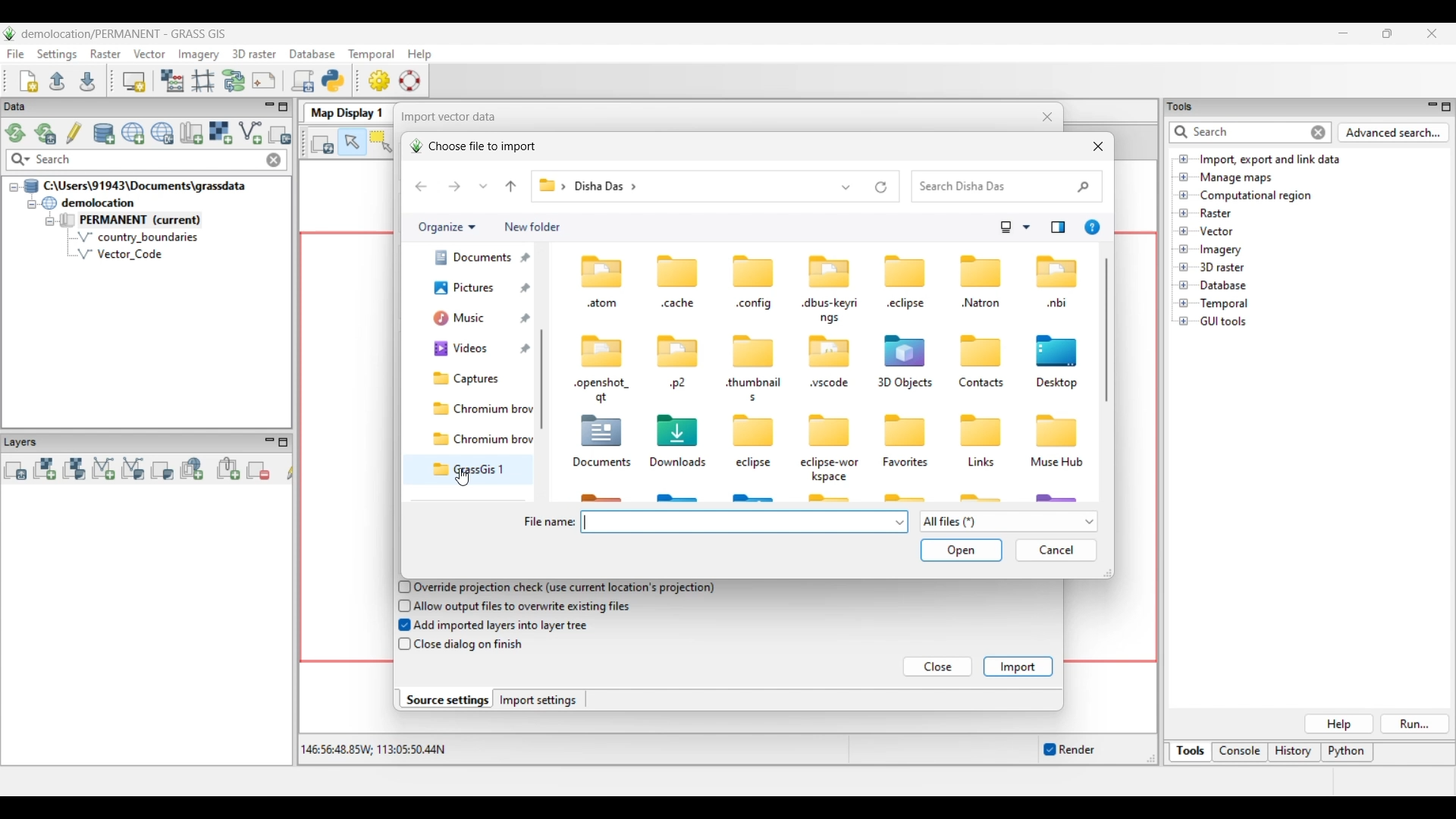 The height and width of the screenshot is (819, 1456). What do you see at coordinates (1184, 267) in the screenshot?
I see `Click to open files under 3D Raster` at bounding box center [1184, 267].